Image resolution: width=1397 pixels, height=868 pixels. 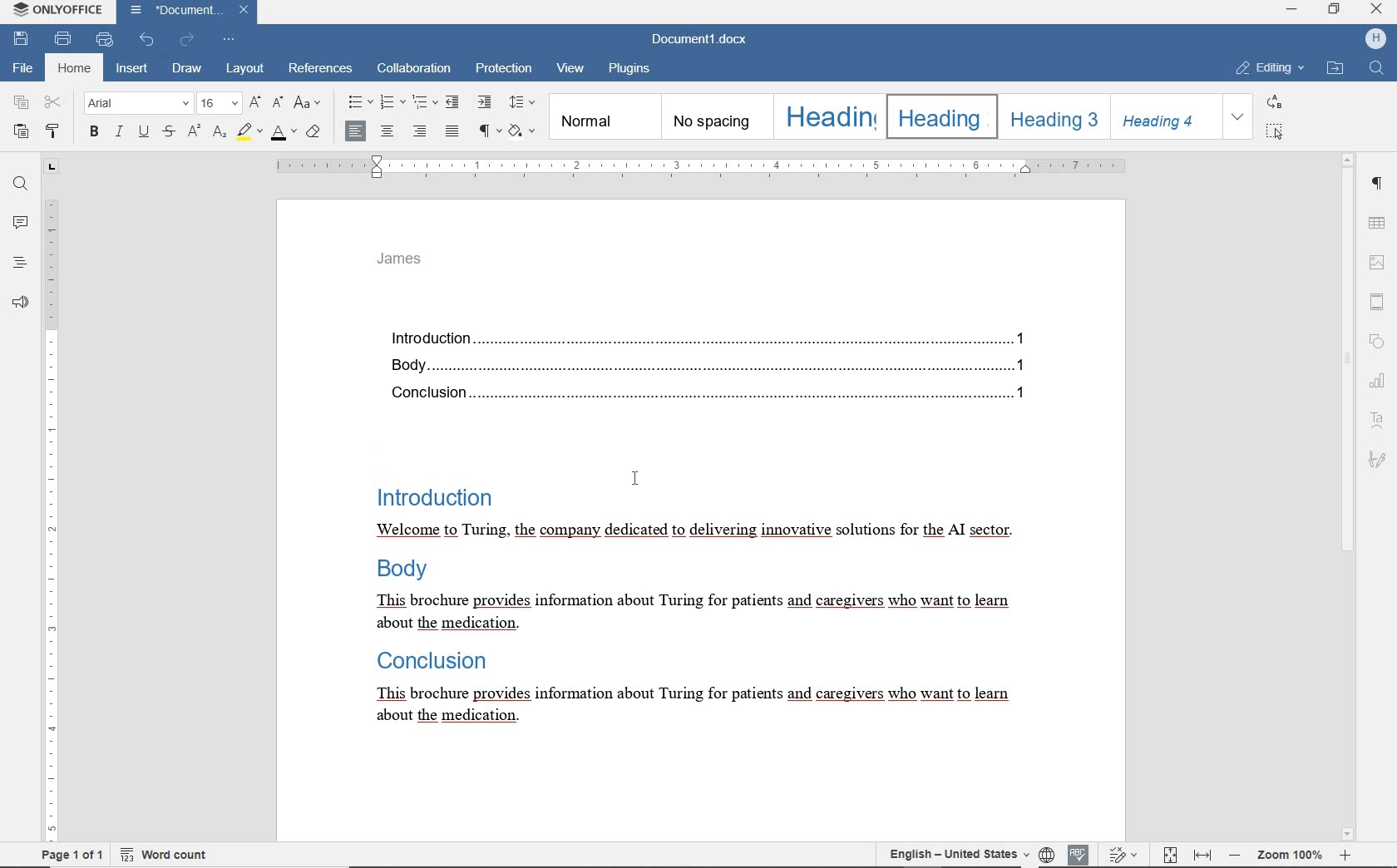 I want to click on quick print, so click(x=105, y=40).